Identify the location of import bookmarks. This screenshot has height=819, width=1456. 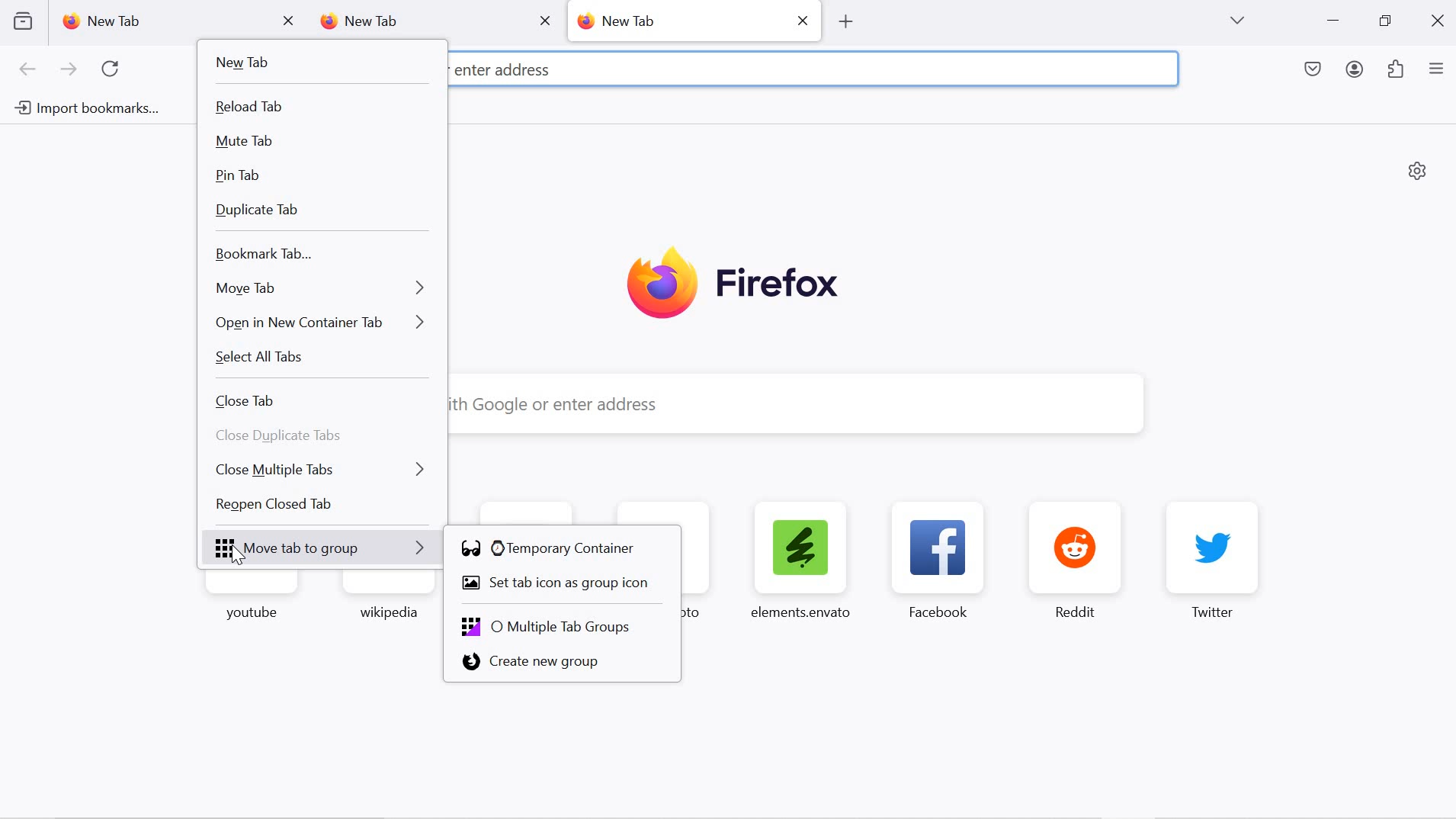
(84, 111).